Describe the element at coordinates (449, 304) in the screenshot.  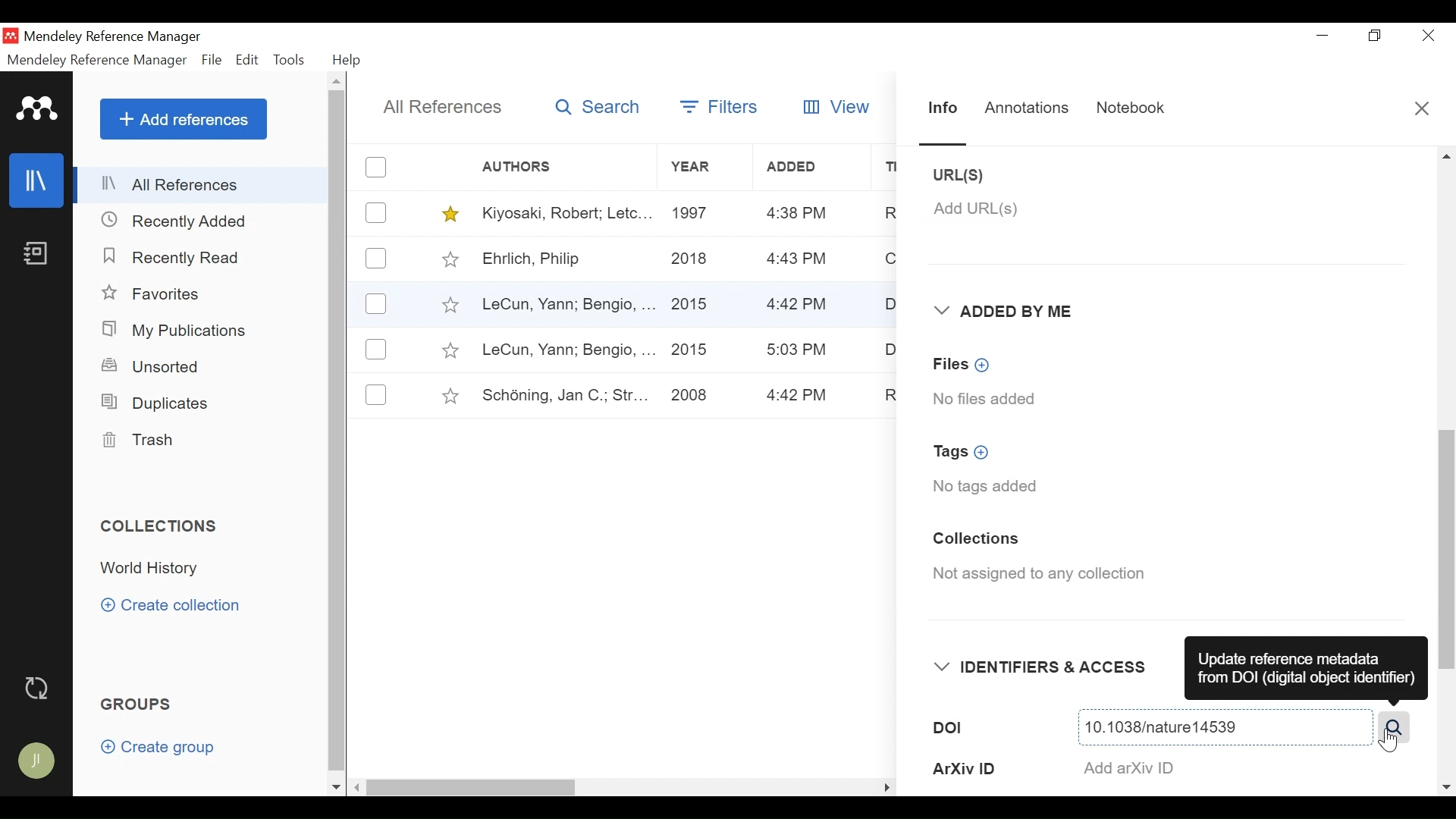
I see `Toggle Favorites` at that location.